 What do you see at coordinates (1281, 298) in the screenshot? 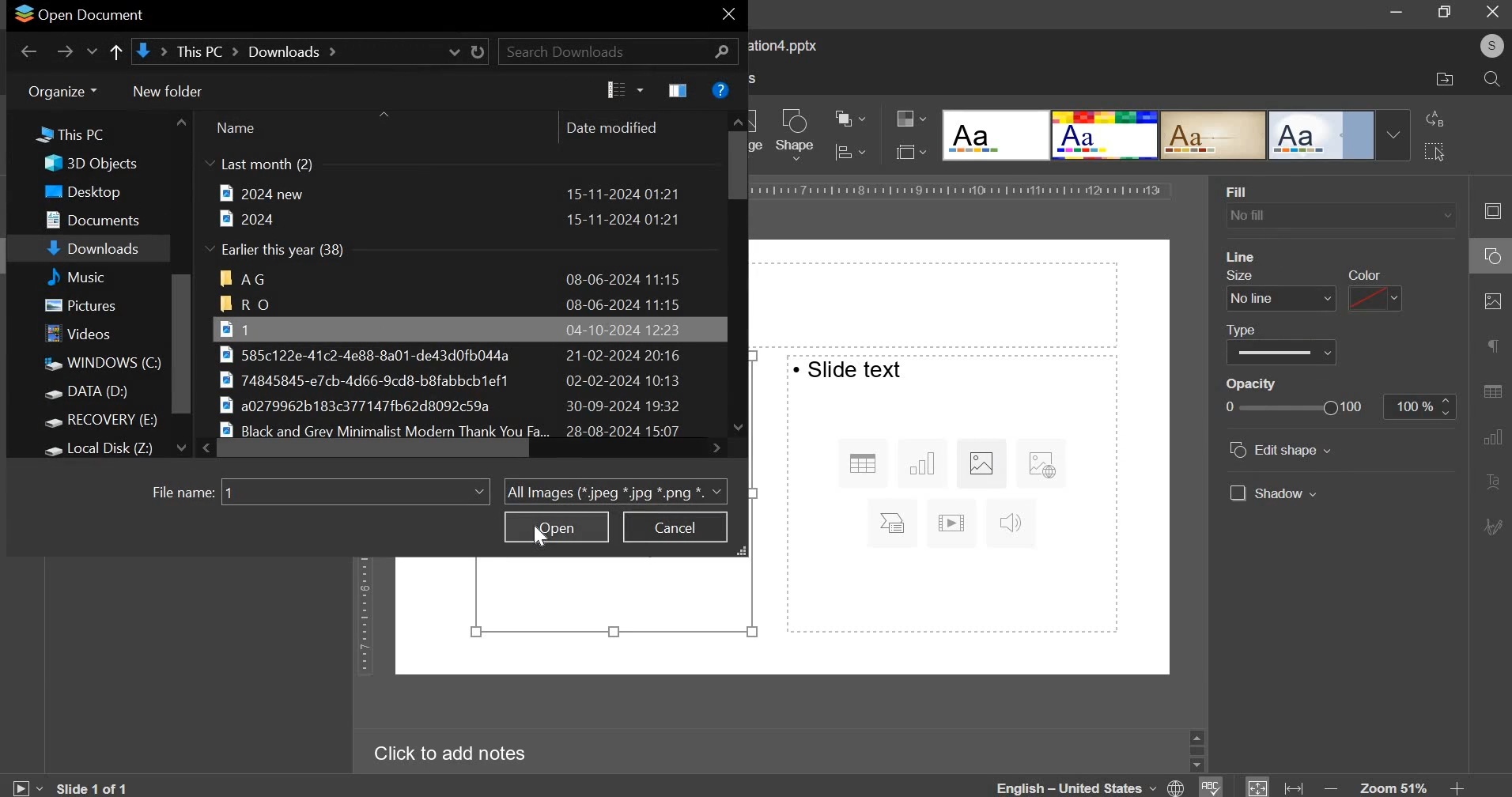
I see `line size` at bounding box center [1281, 298].